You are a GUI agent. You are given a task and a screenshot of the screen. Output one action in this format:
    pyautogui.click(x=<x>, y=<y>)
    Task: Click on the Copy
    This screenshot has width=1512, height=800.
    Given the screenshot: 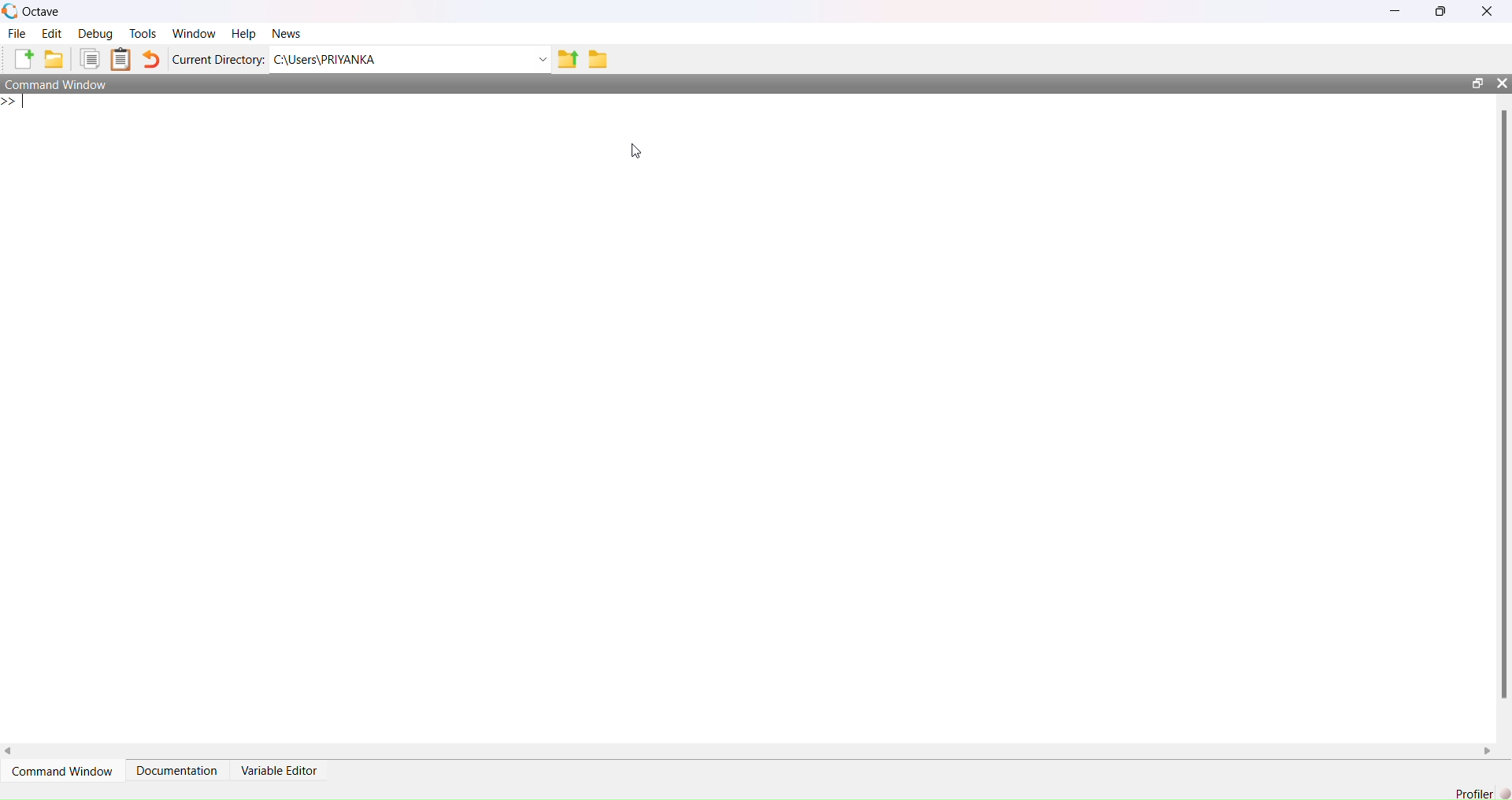 What is the action you would take?
    pyautogui.click(x=91, y=59)
    